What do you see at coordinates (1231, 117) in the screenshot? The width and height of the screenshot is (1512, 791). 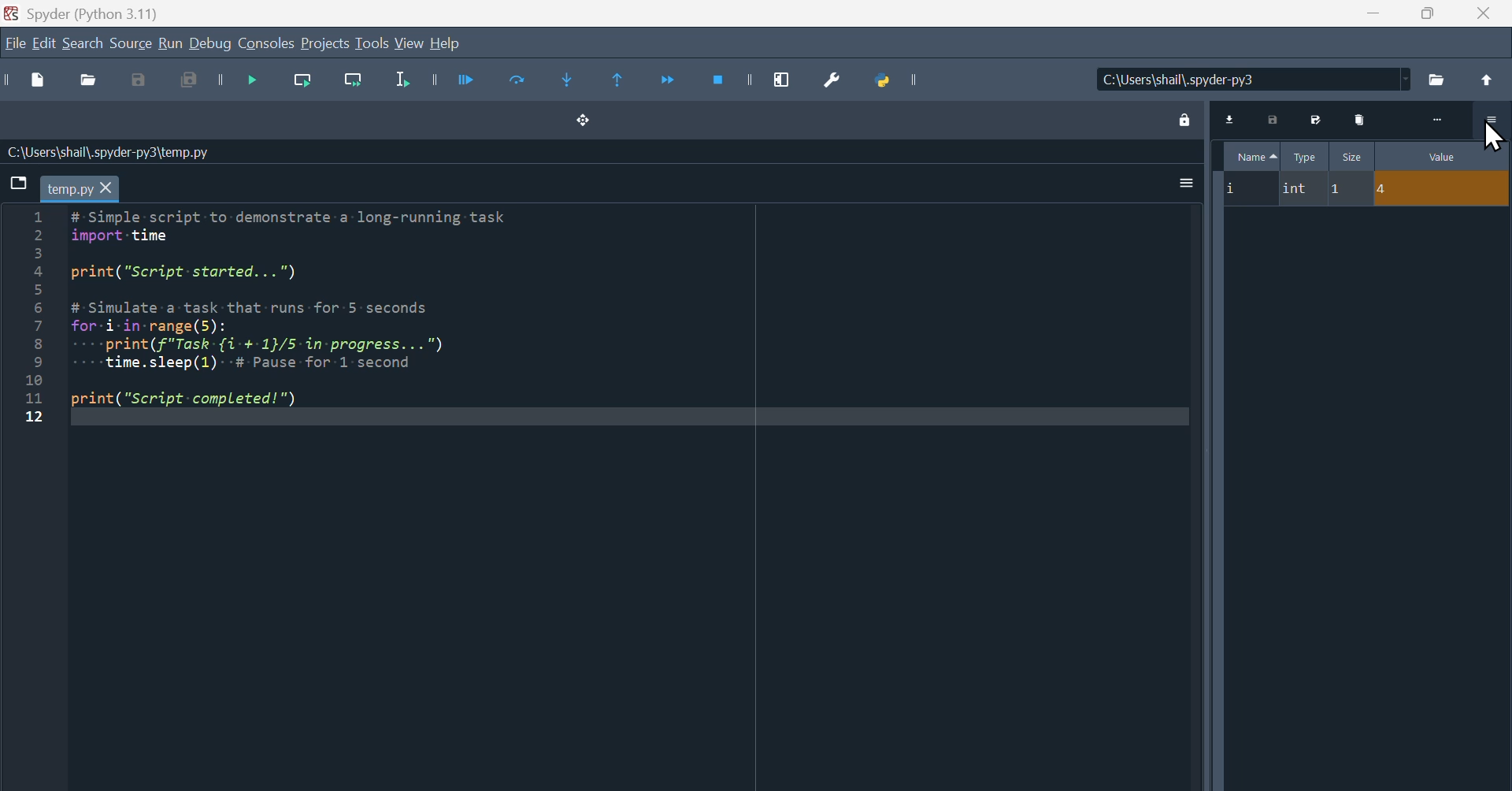 I see `Download` at bounding box center [1231, 117].